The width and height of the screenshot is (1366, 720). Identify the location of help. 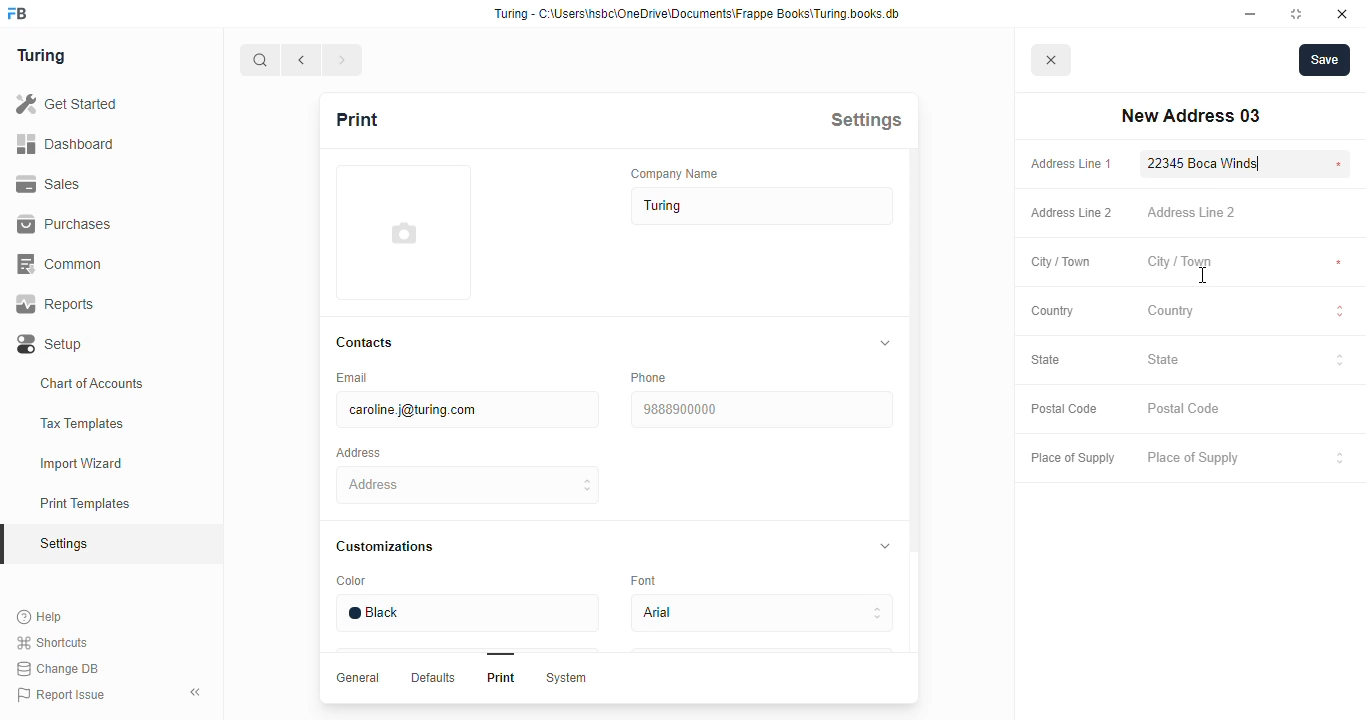
(41, 617).